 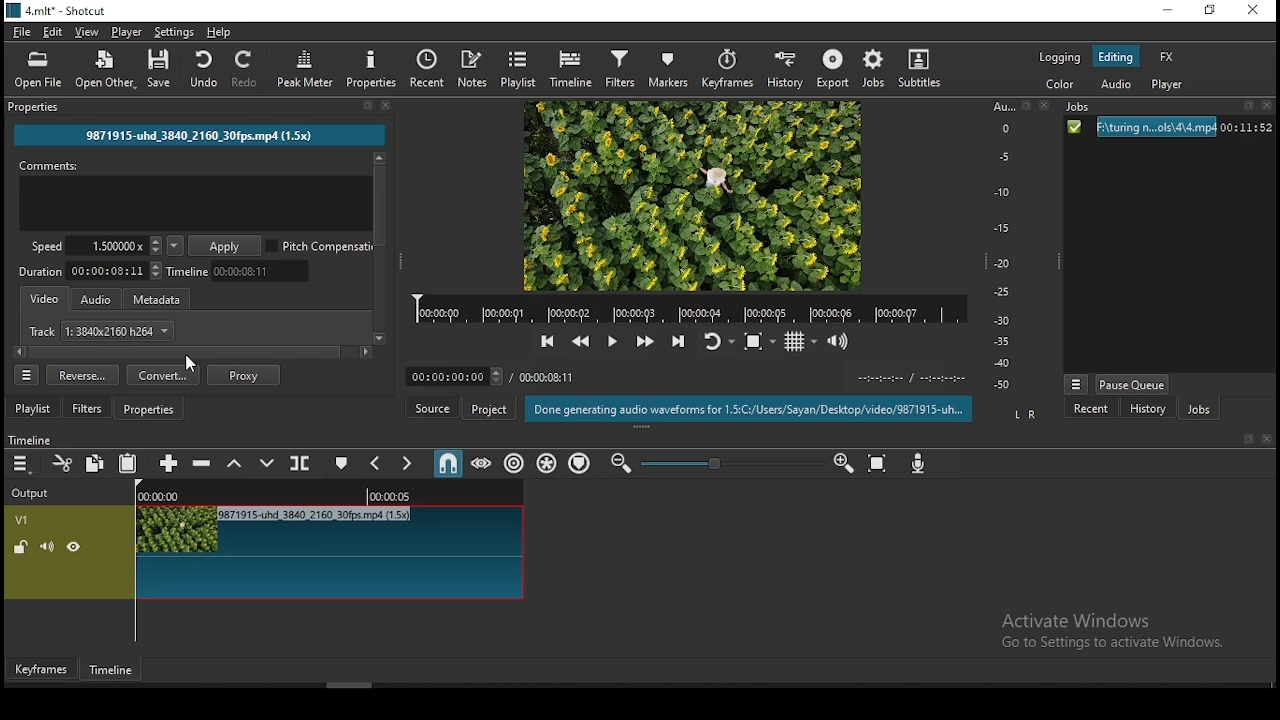 What do you see at coordinates (547, 342) in the screenshot?
I see `skip to the previous point` at bounding box center [547, 342].